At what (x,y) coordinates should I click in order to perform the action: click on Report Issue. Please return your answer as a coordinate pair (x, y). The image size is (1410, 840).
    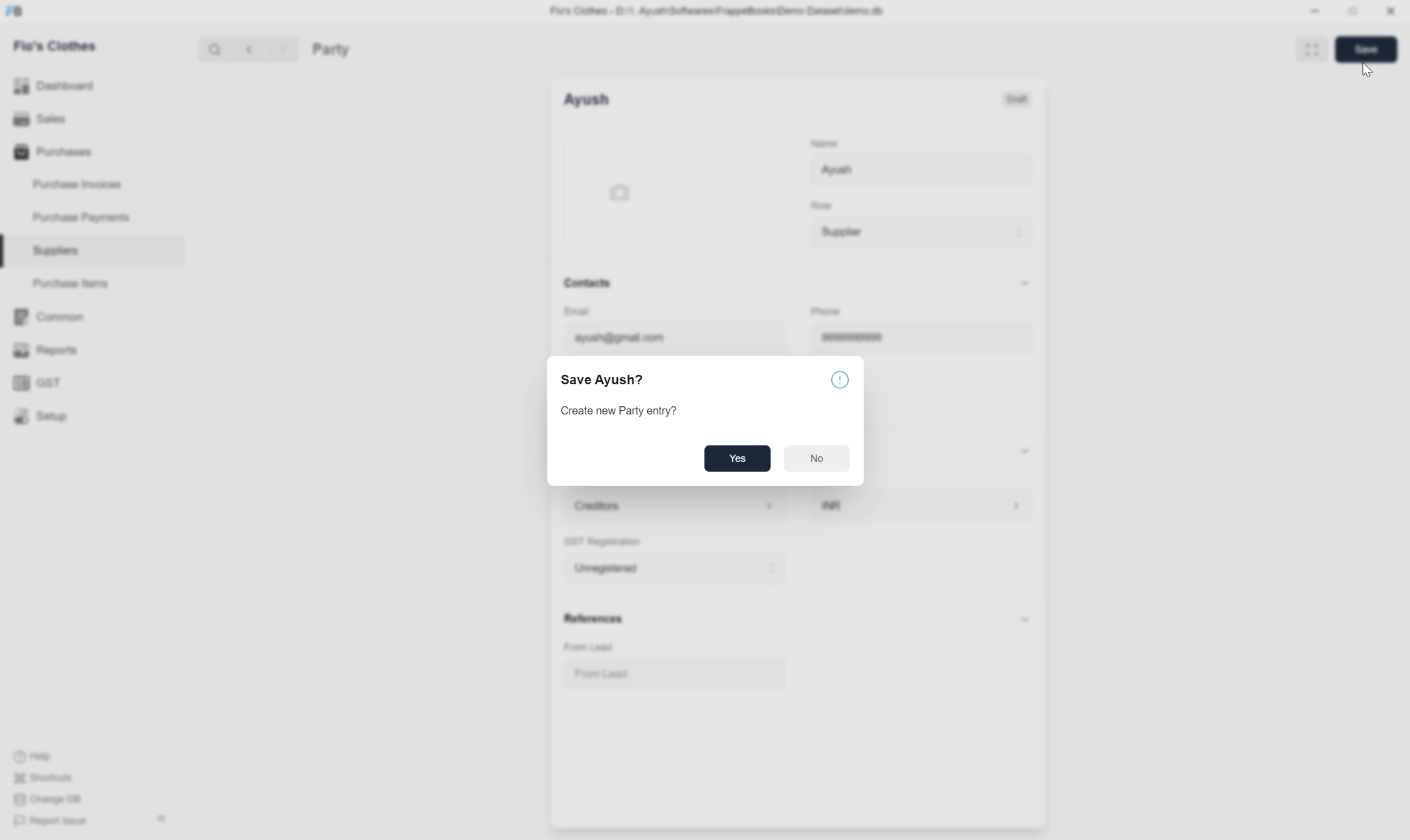
    Looking at the image, I should click on (53, 821).